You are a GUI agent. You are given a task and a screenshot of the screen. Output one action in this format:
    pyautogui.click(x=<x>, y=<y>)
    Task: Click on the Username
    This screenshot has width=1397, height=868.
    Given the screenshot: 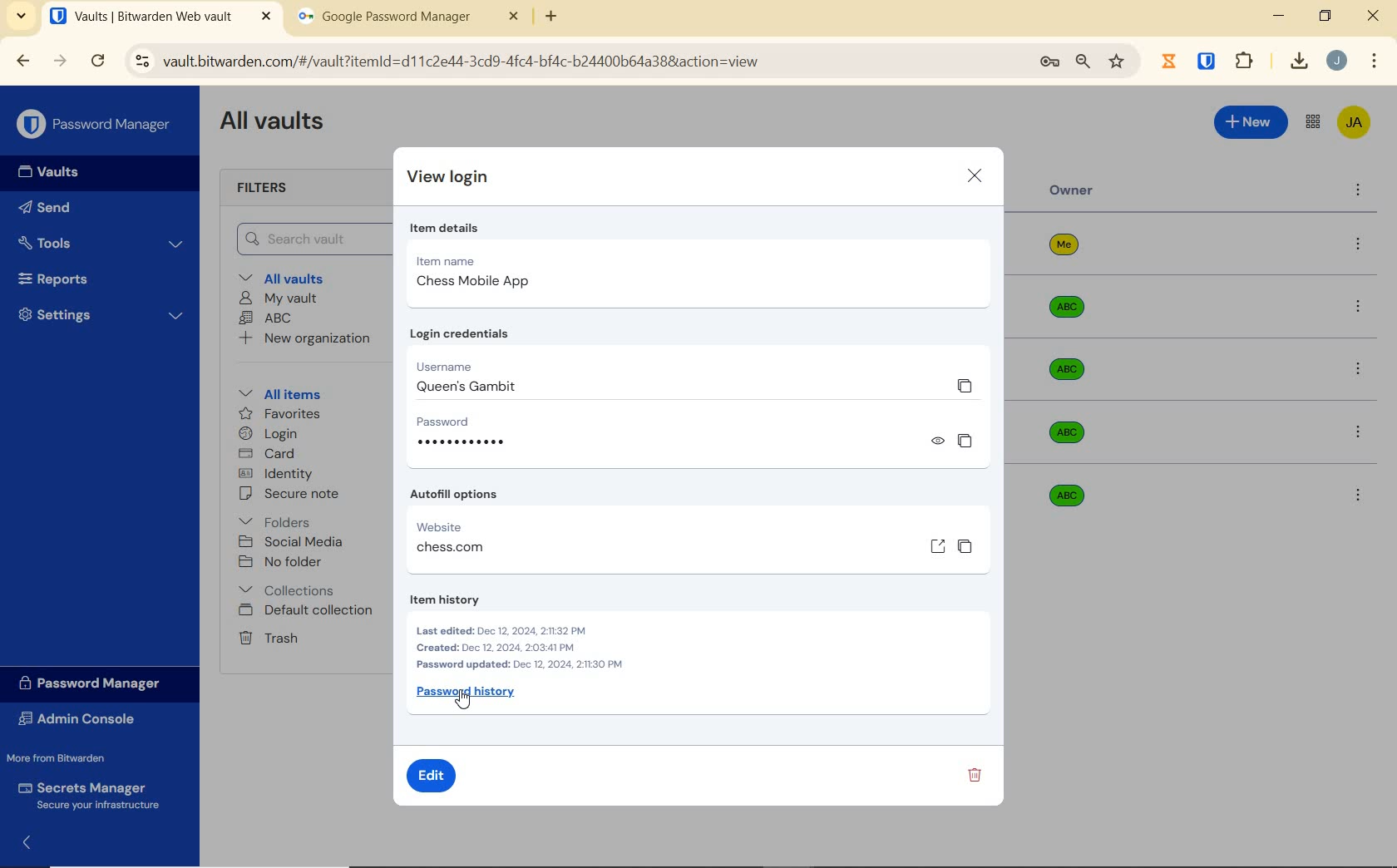 What is the action you would take?
    pyautogui.click(x=470, y=364)
    